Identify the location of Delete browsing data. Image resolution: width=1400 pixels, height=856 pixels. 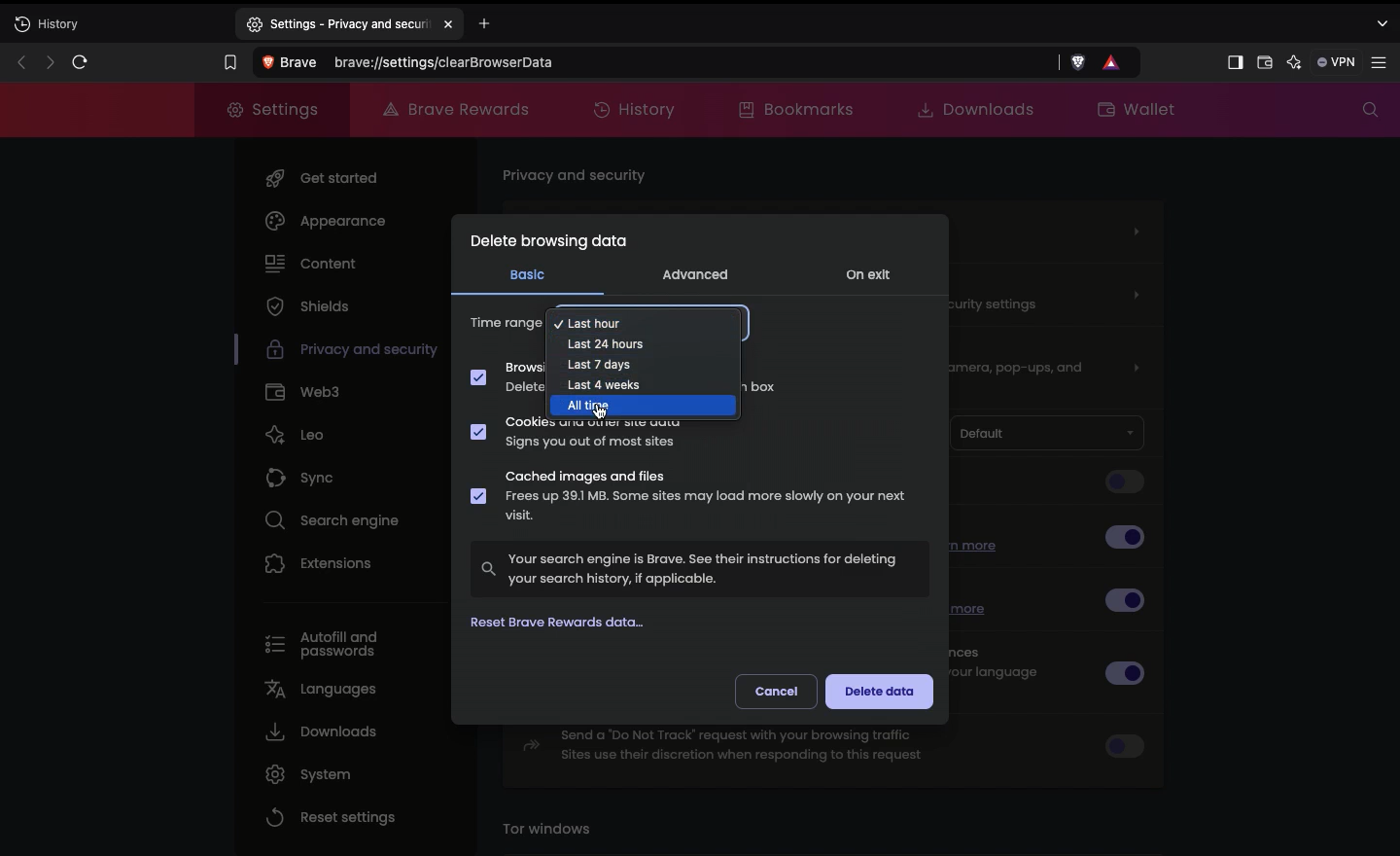
(547, 245).